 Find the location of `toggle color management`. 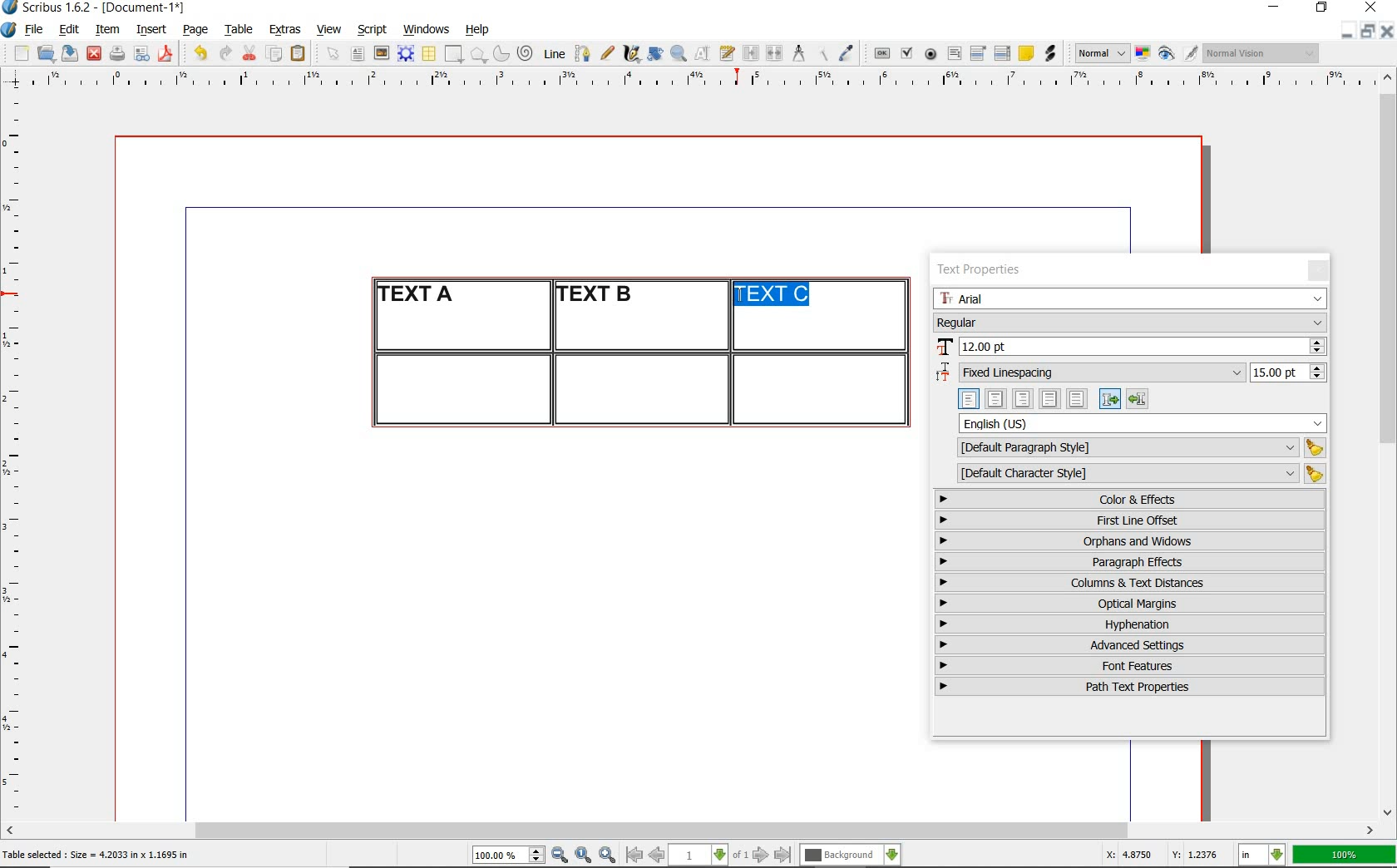

toggle color management is located at coordinates (1144, 55).